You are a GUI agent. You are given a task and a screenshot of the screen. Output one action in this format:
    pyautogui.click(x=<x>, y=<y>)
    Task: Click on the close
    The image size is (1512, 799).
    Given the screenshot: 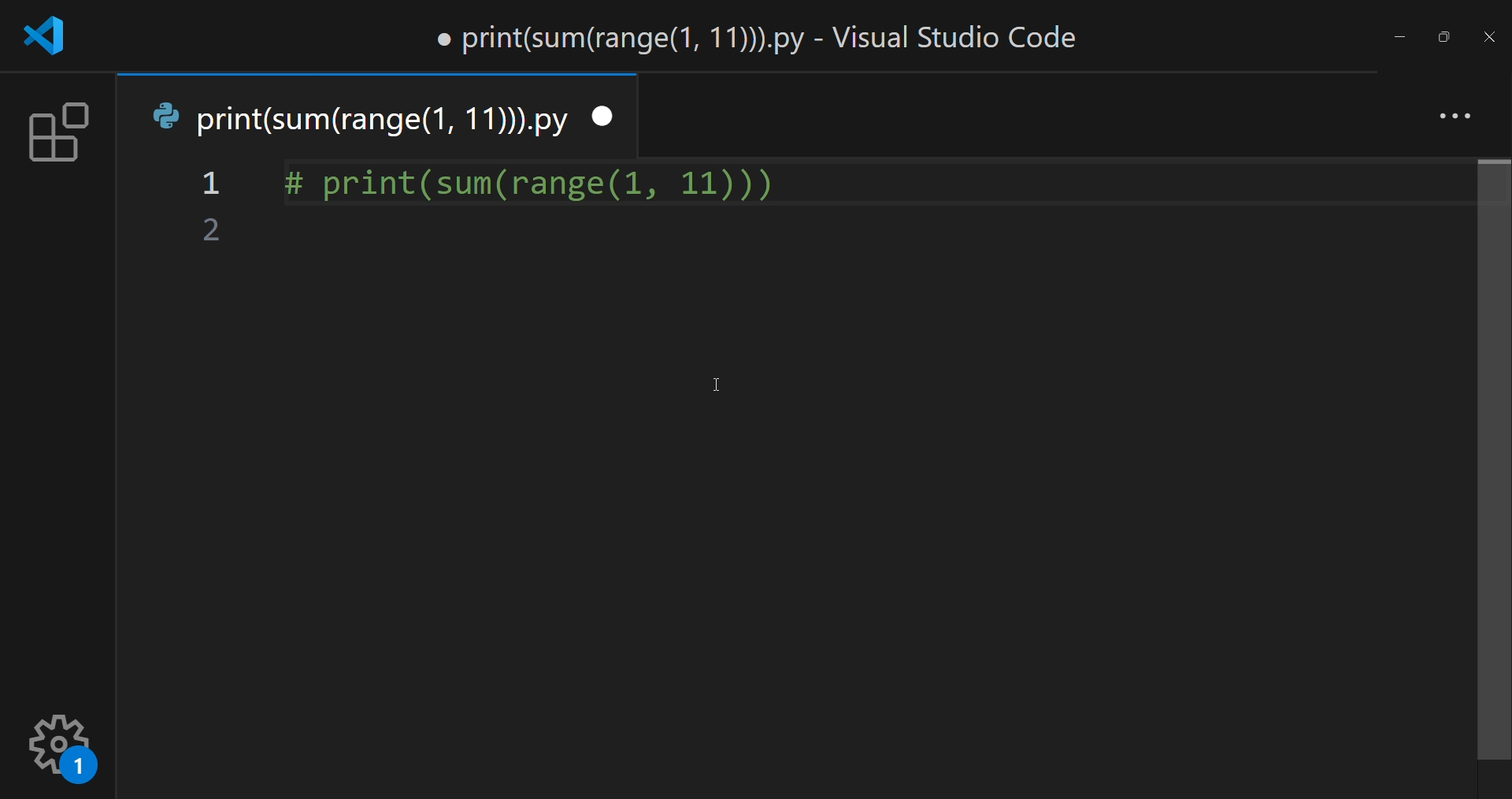 What is the action you would take?
    pyautogui.click(x=1488, y=38)
    